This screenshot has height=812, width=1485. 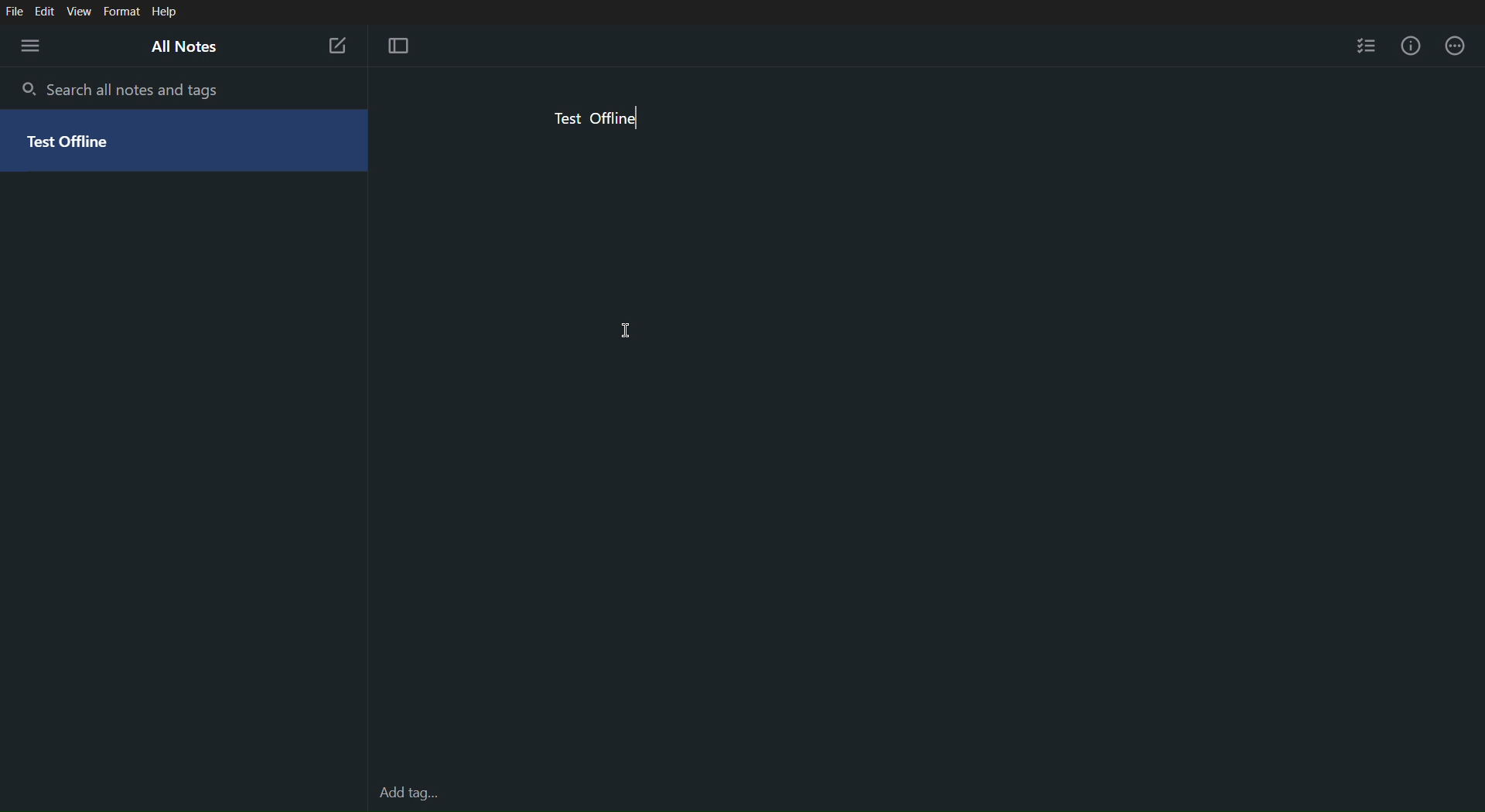 I want to click on Edit, so click(x=46, y=10).